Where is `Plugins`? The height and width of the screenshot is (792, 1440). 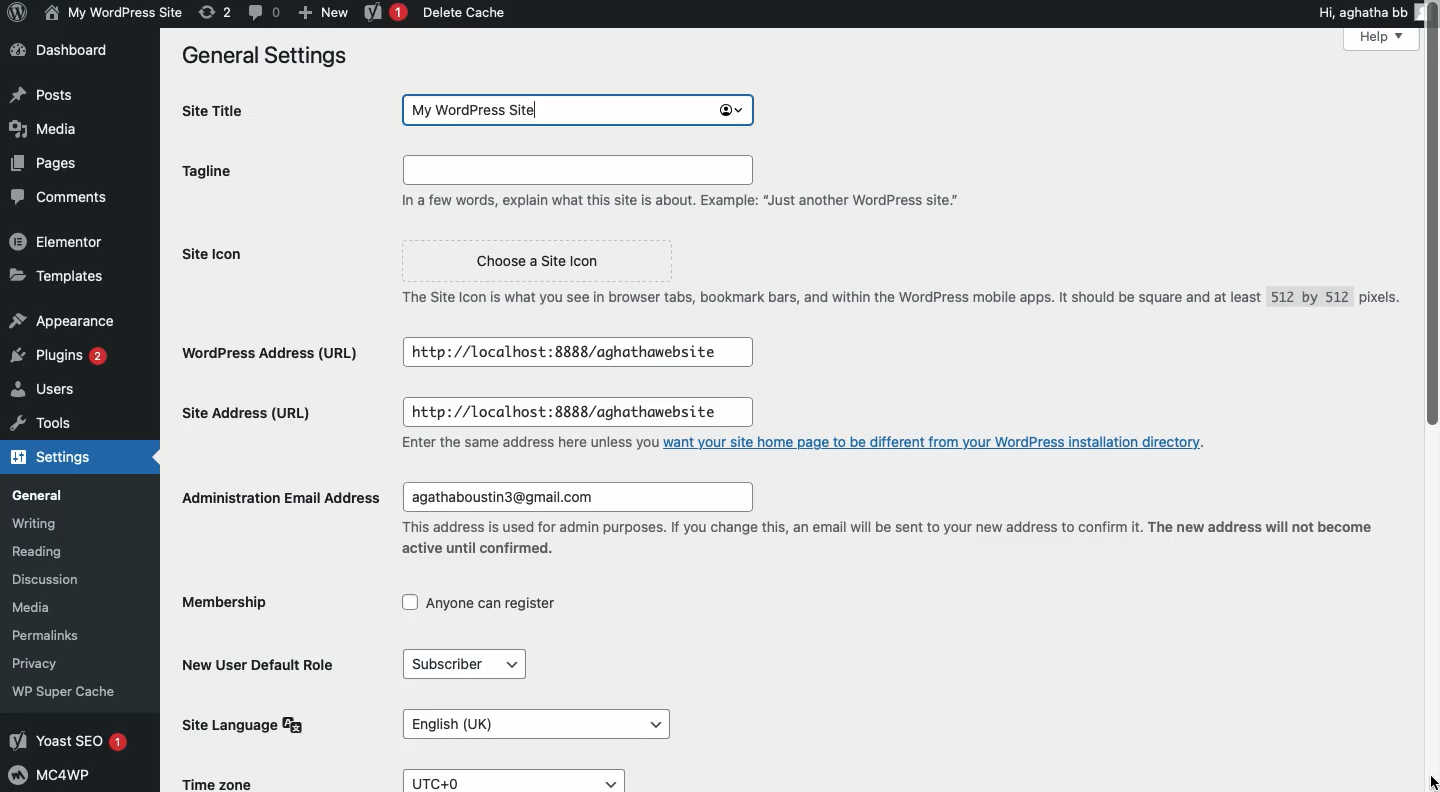 Plugins is located at coordinates (63, 356).